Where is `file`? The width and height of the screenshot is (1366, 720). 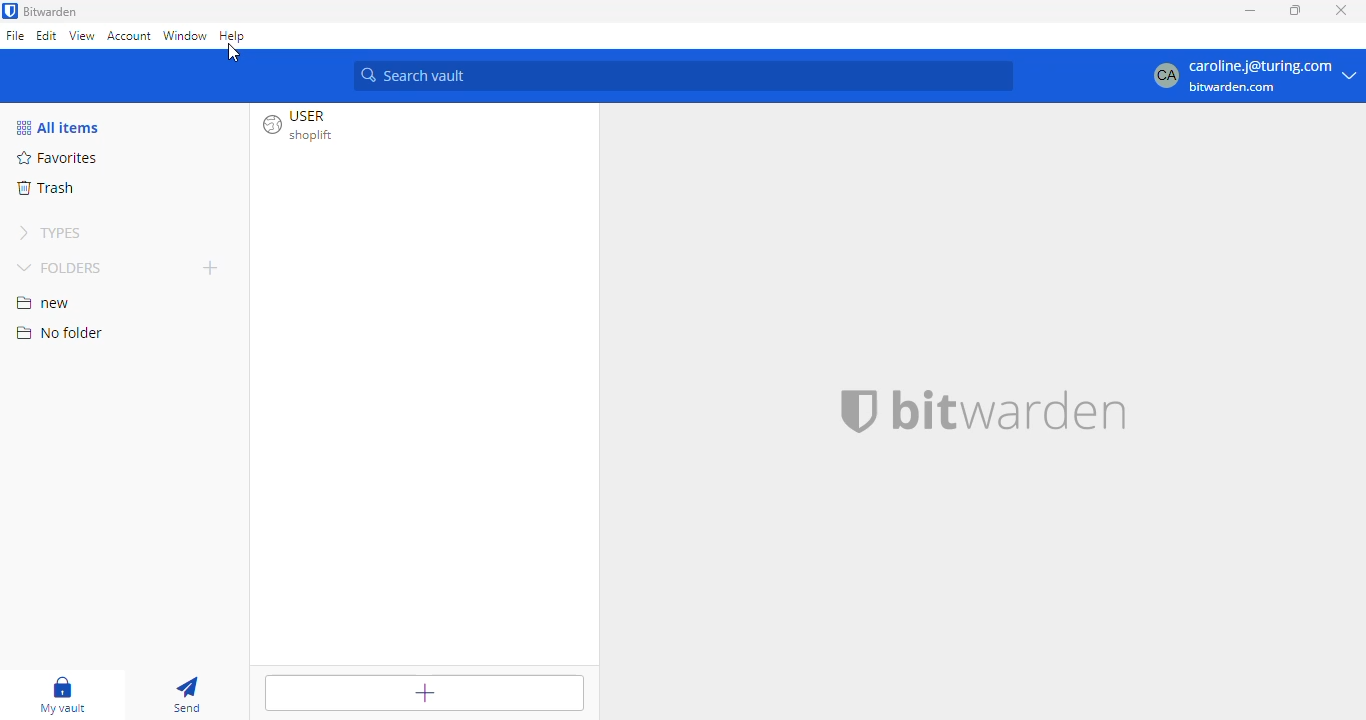 file is located at coordinates (16, 35).